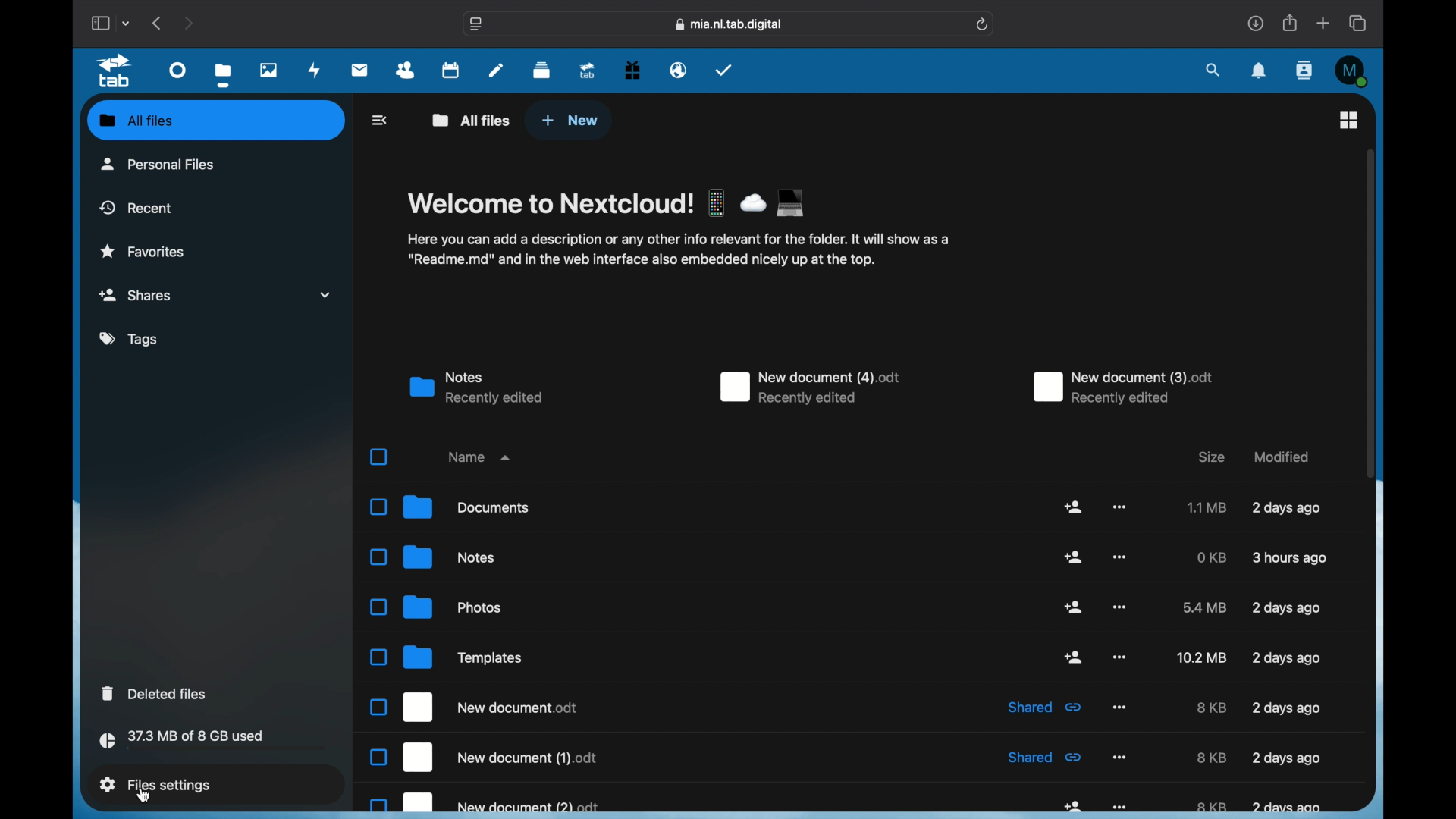 The width and height of the screenshot is (1456, 819). Describe the element at coordinates (1323, 23) in the screenshot. I see `new tab` at that location.